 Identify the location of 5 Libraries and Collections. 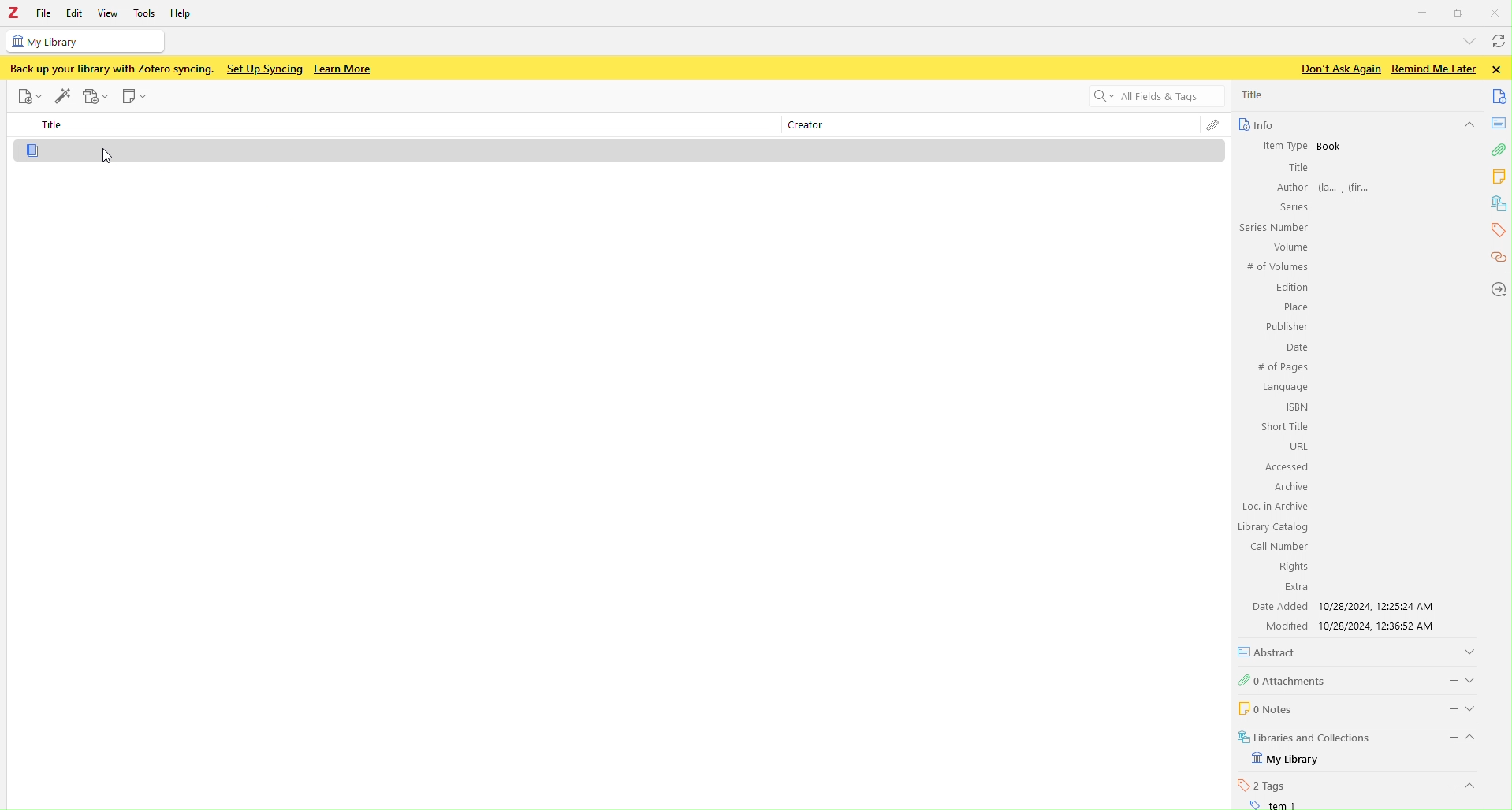
(1305, 736).